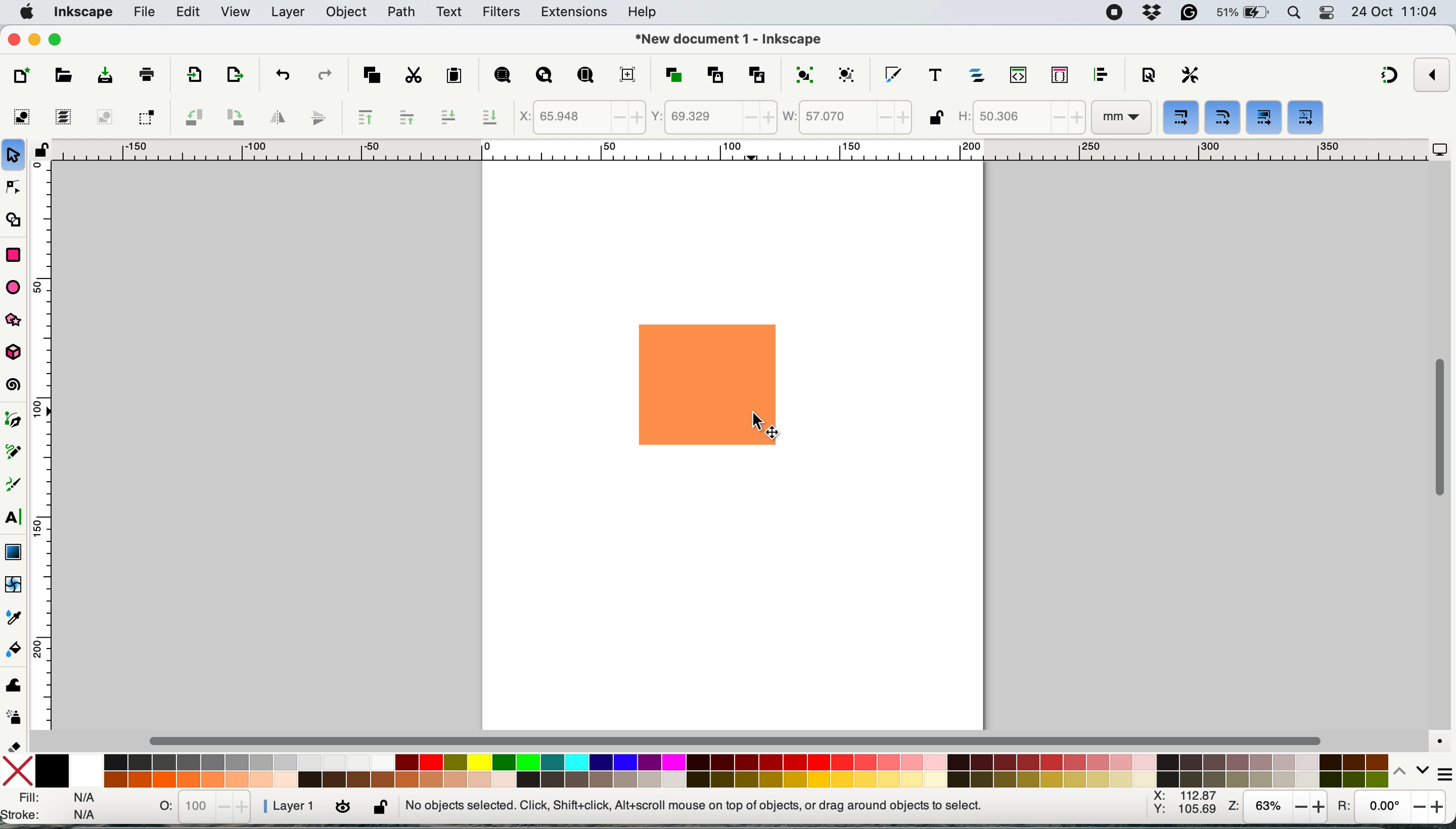  Describe the element at coordinates (324, 74) in the screenshot. I see `redo` at that location.